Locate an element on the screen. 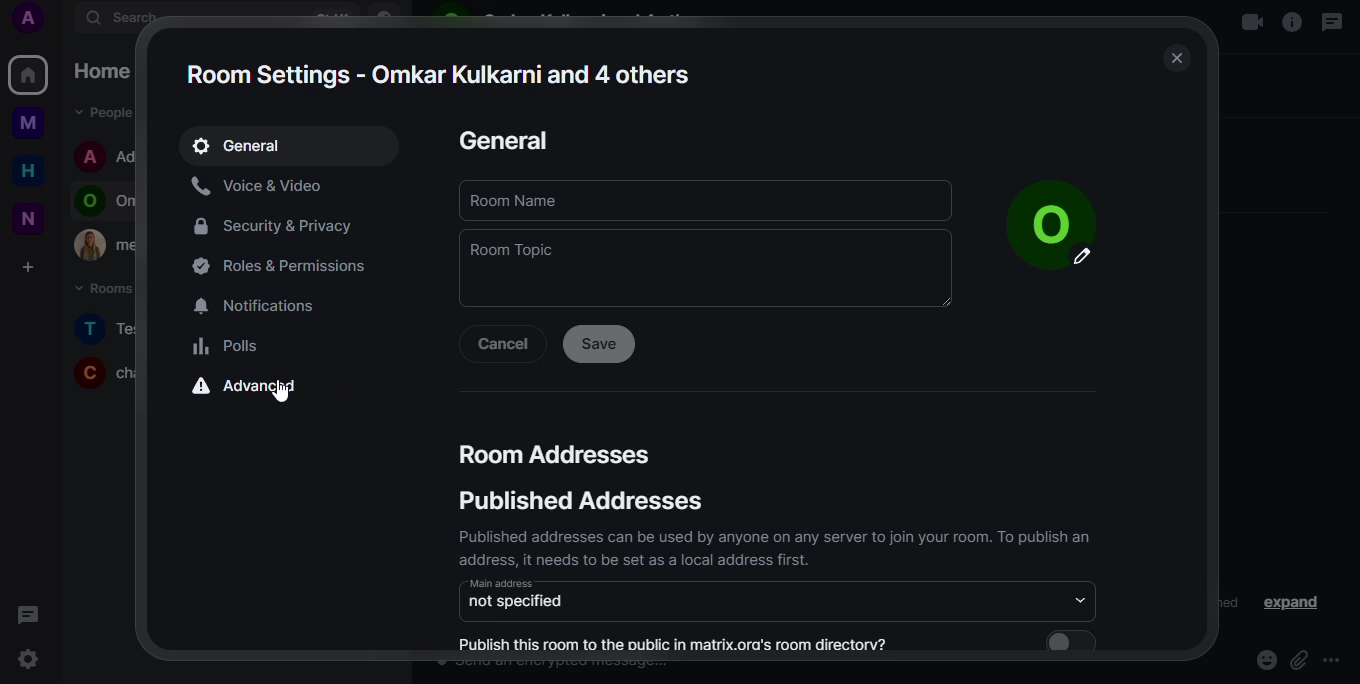 The width and height of the screenshot is (1360, 684). cancel is located at coordinates (502, 344).